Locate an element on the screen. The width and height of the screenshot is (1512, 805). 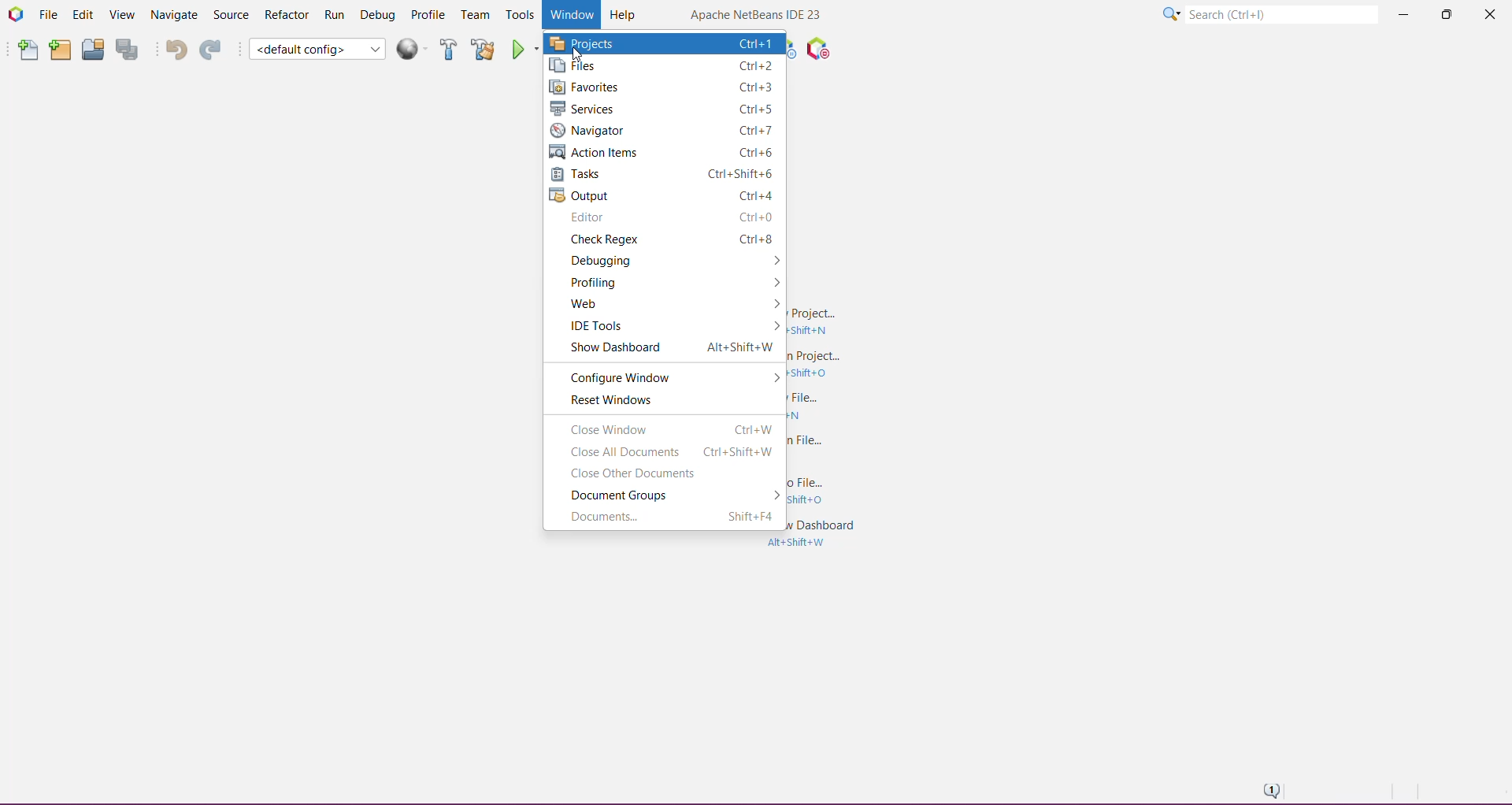
Refactor is located at coordinates (286, 16).